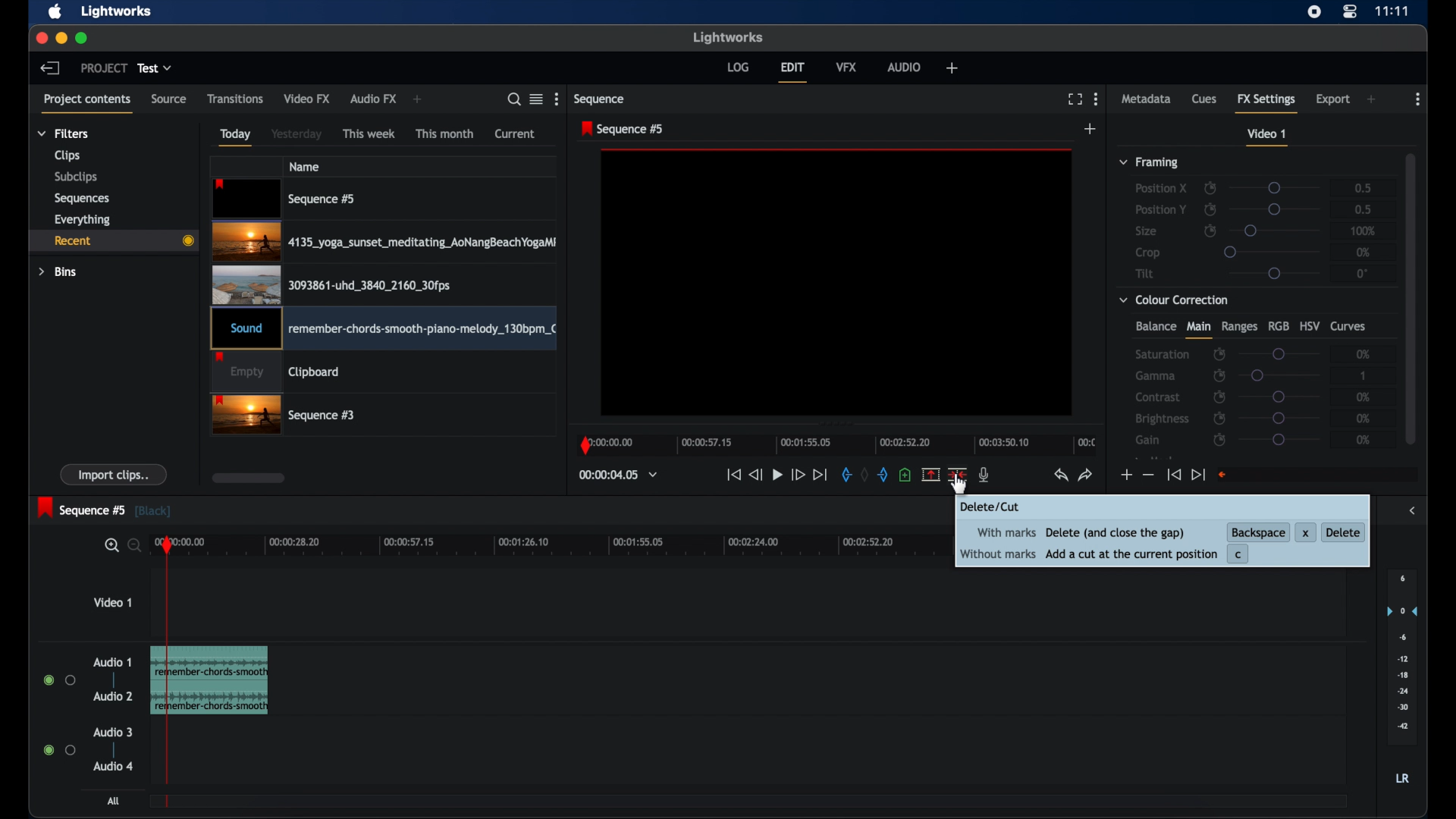 This screenshot has height=819, width=1456. I want to click on audio 1, so click(113, 662).